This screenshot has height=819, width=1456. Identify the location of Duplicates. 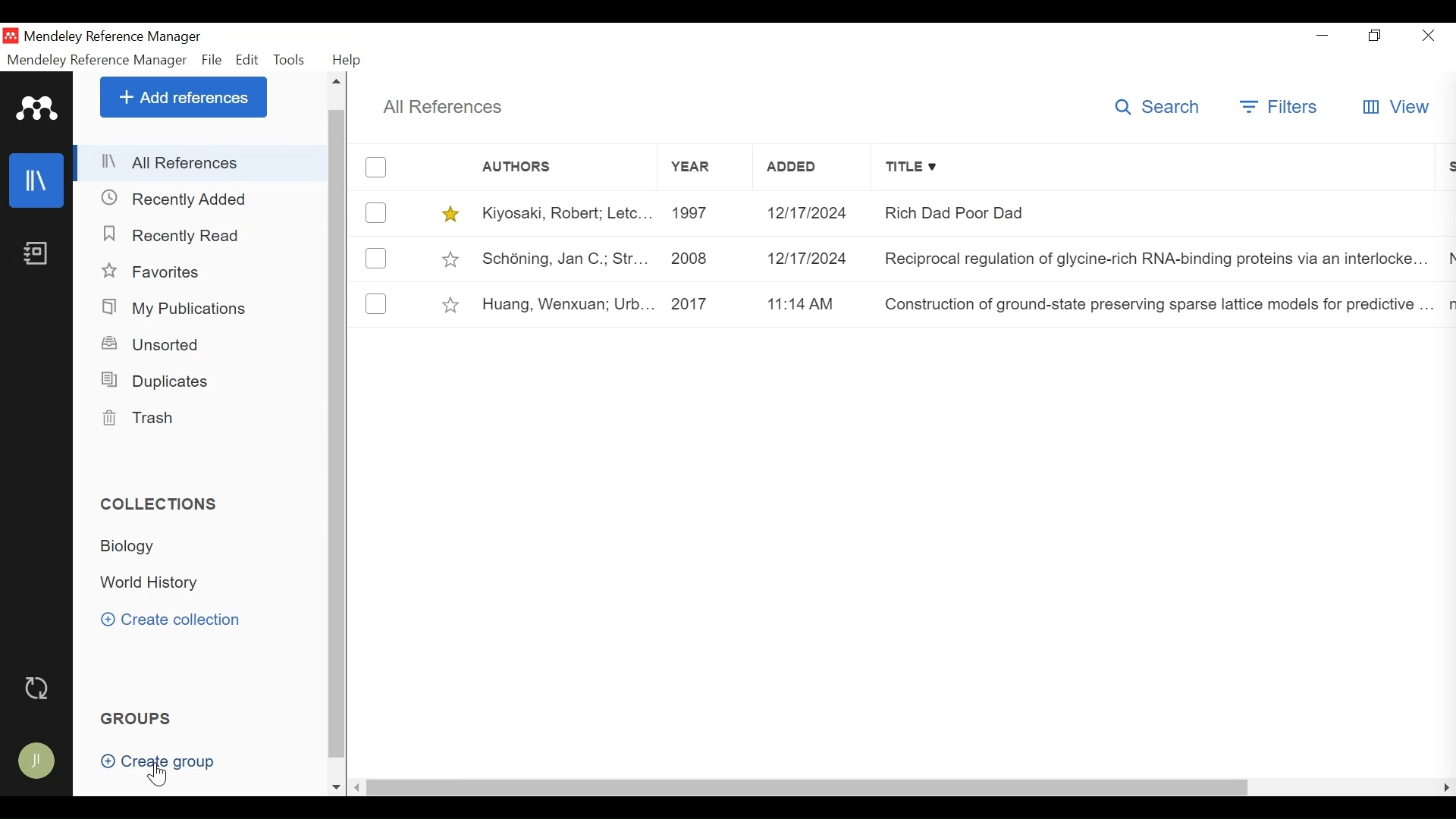
(156, 381).